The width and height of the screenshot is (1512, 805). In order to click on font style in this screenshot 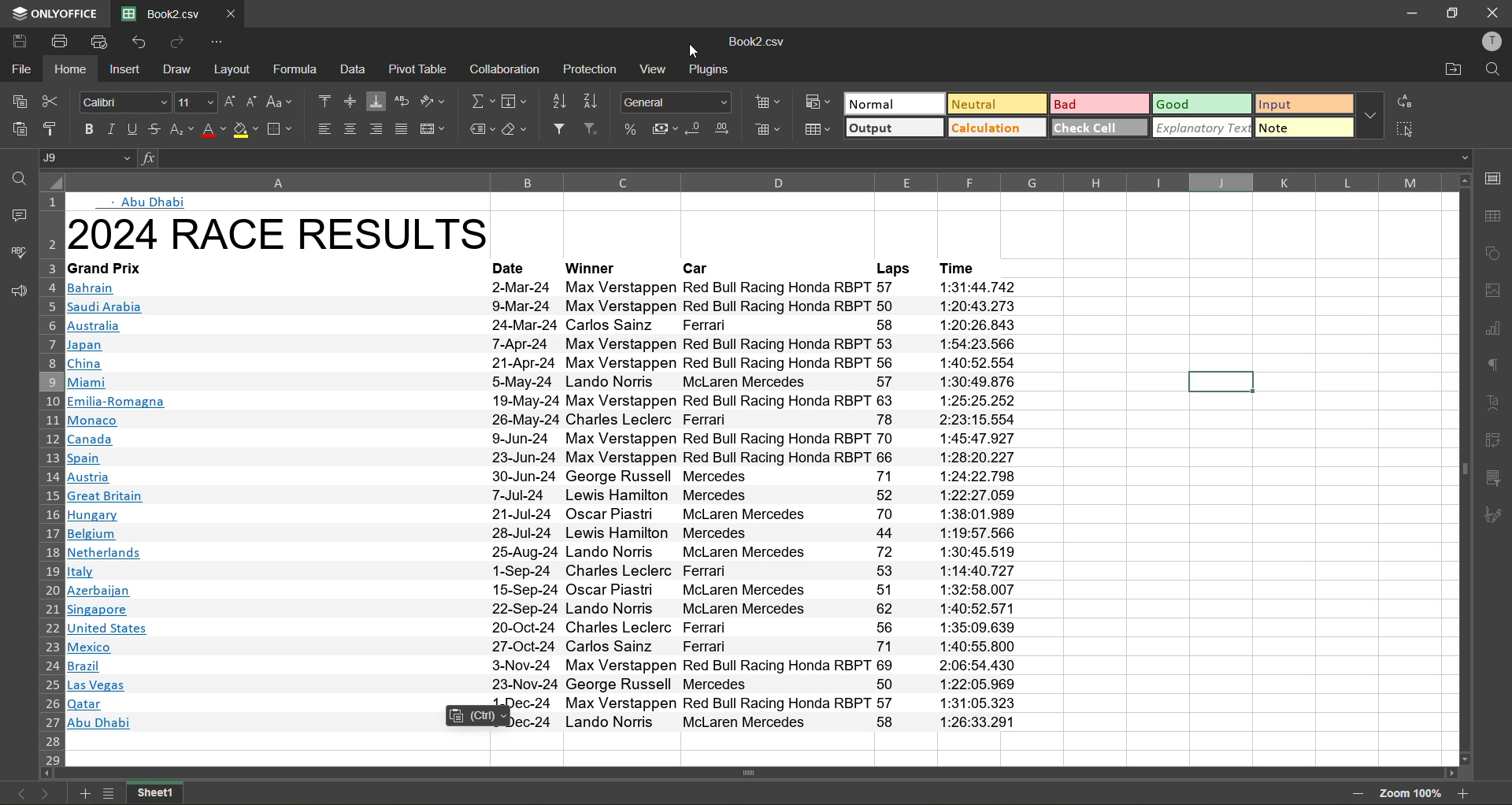, I will do `click(128, 97)`.